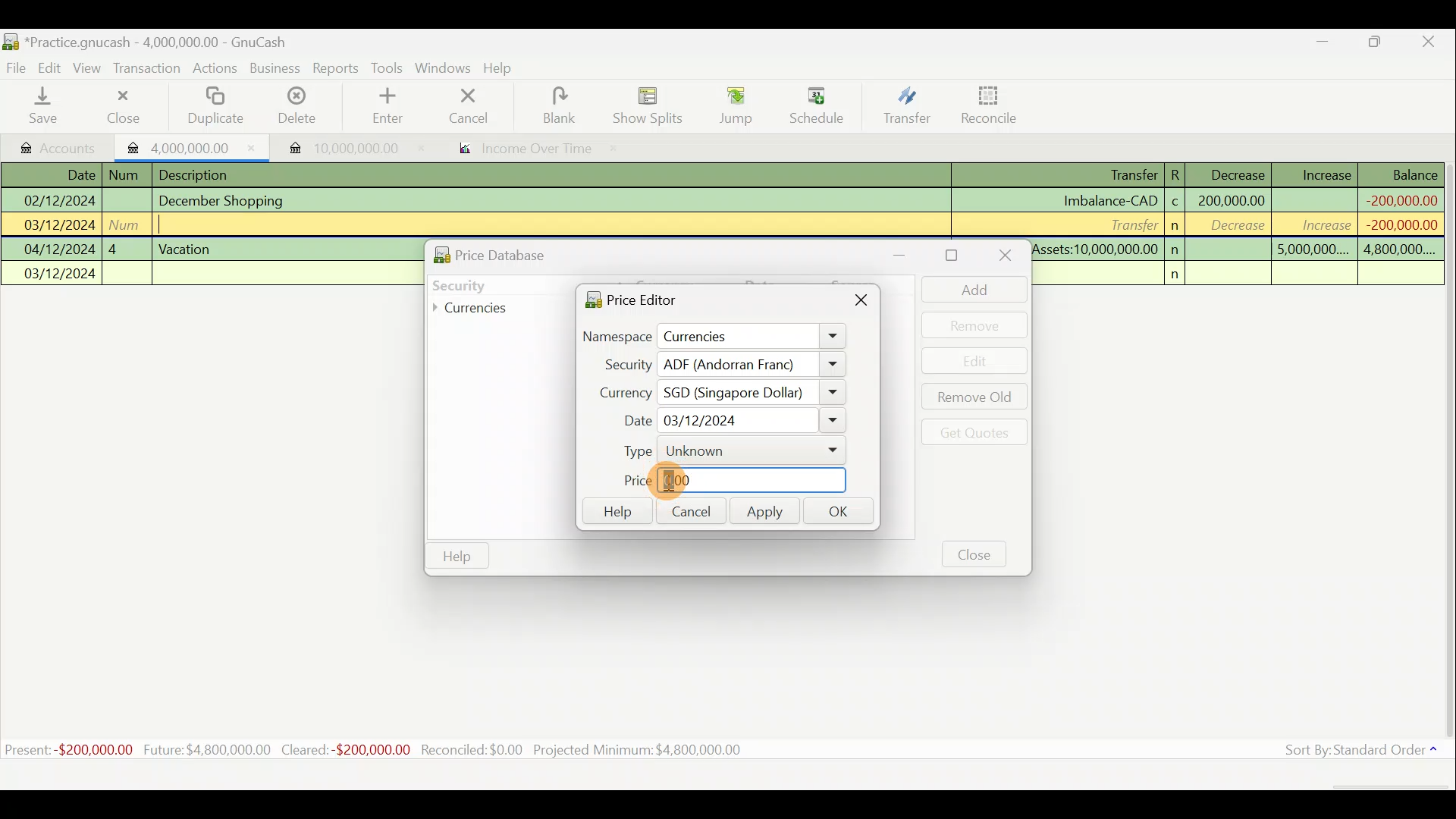  I want to click on Remove, so click(974, 325).